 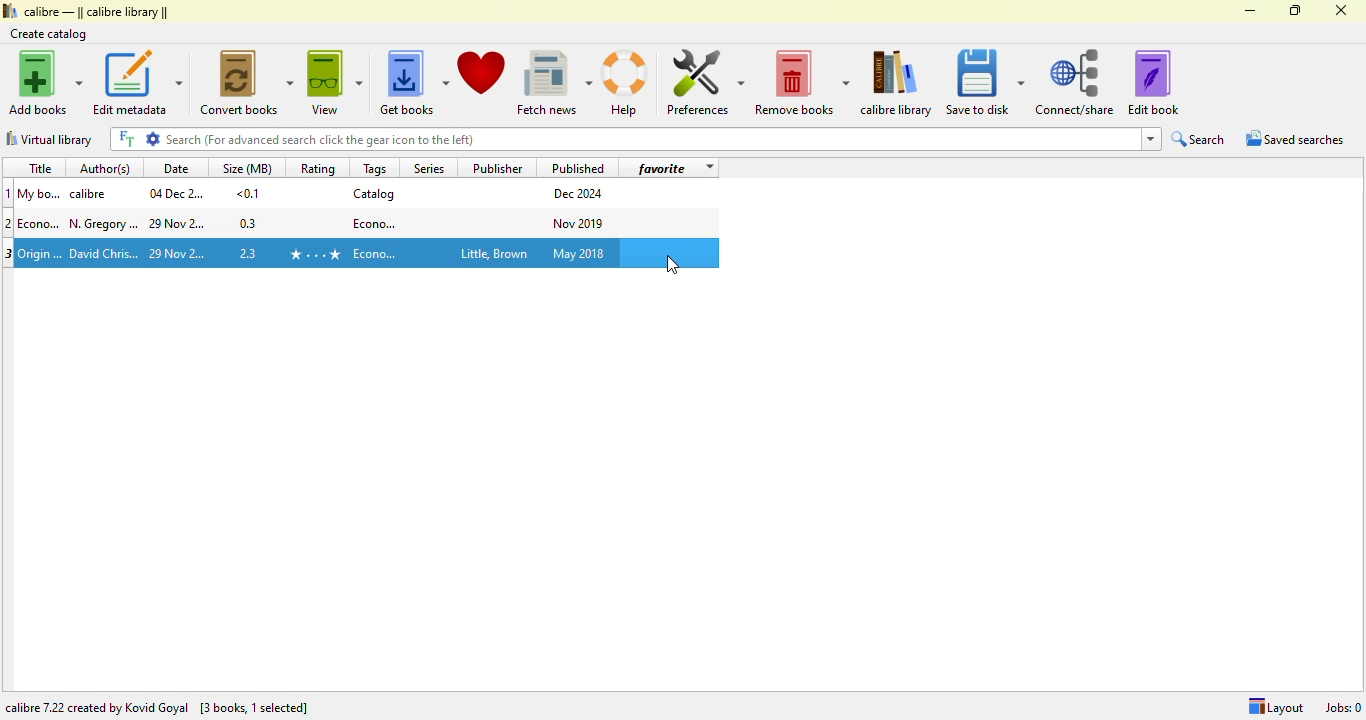 What do you see at coordinates (482, 73) in the screenshot?
I see `donate to support calibre` at bounding box center [482, 73].